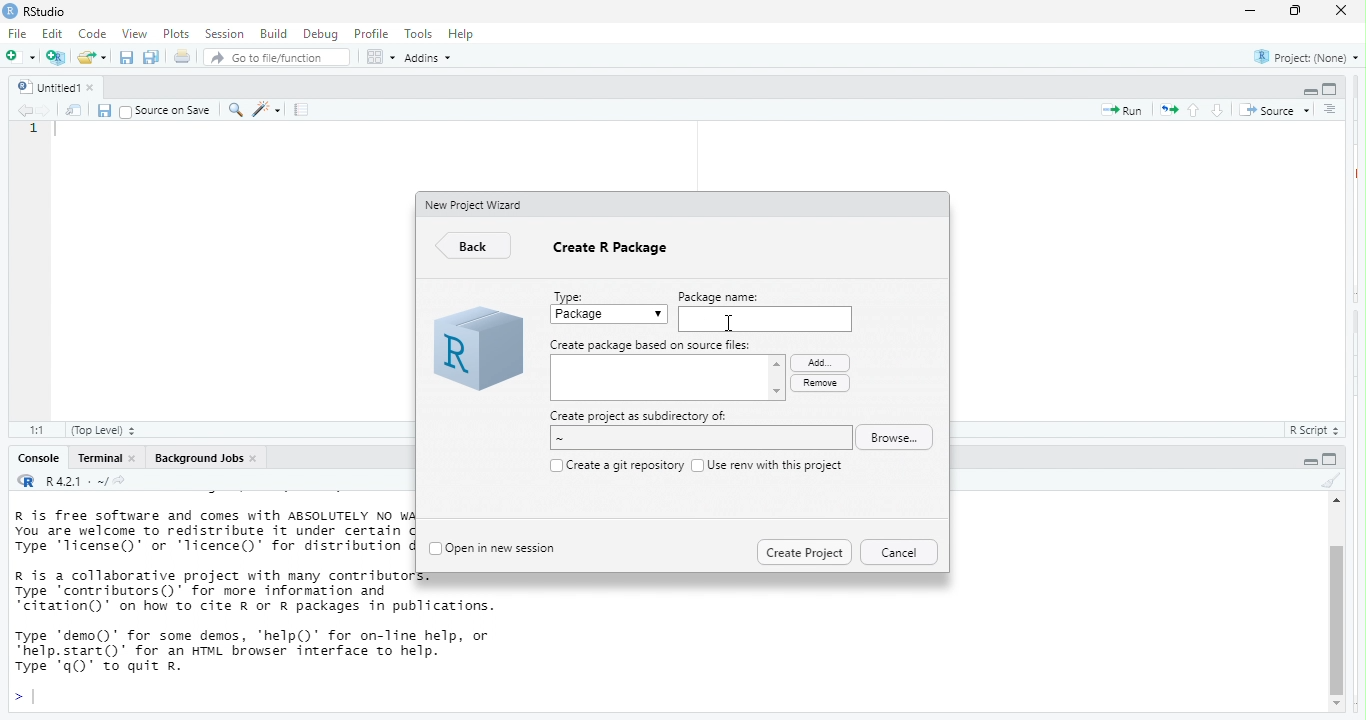 Image resolution: width=1366 pixels, height=720 pixels. What do you see at coordinates (804, 550) in the screenshot?
I see ` Create Project ` at bounding box center [804, 550].